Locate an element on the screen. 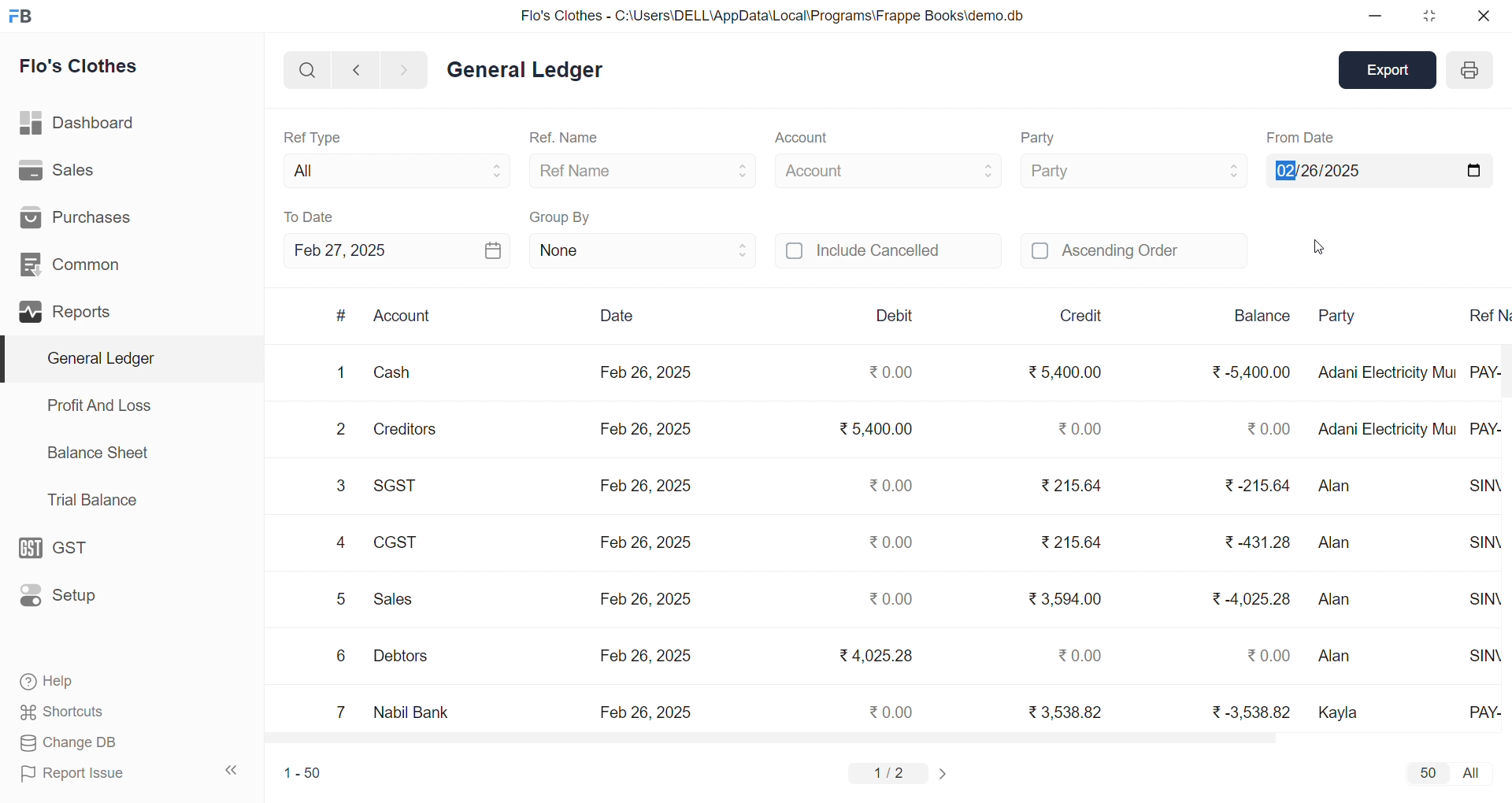 This screenshot has height=803, width=1512. Alan is located at coordinates (1346, 658).